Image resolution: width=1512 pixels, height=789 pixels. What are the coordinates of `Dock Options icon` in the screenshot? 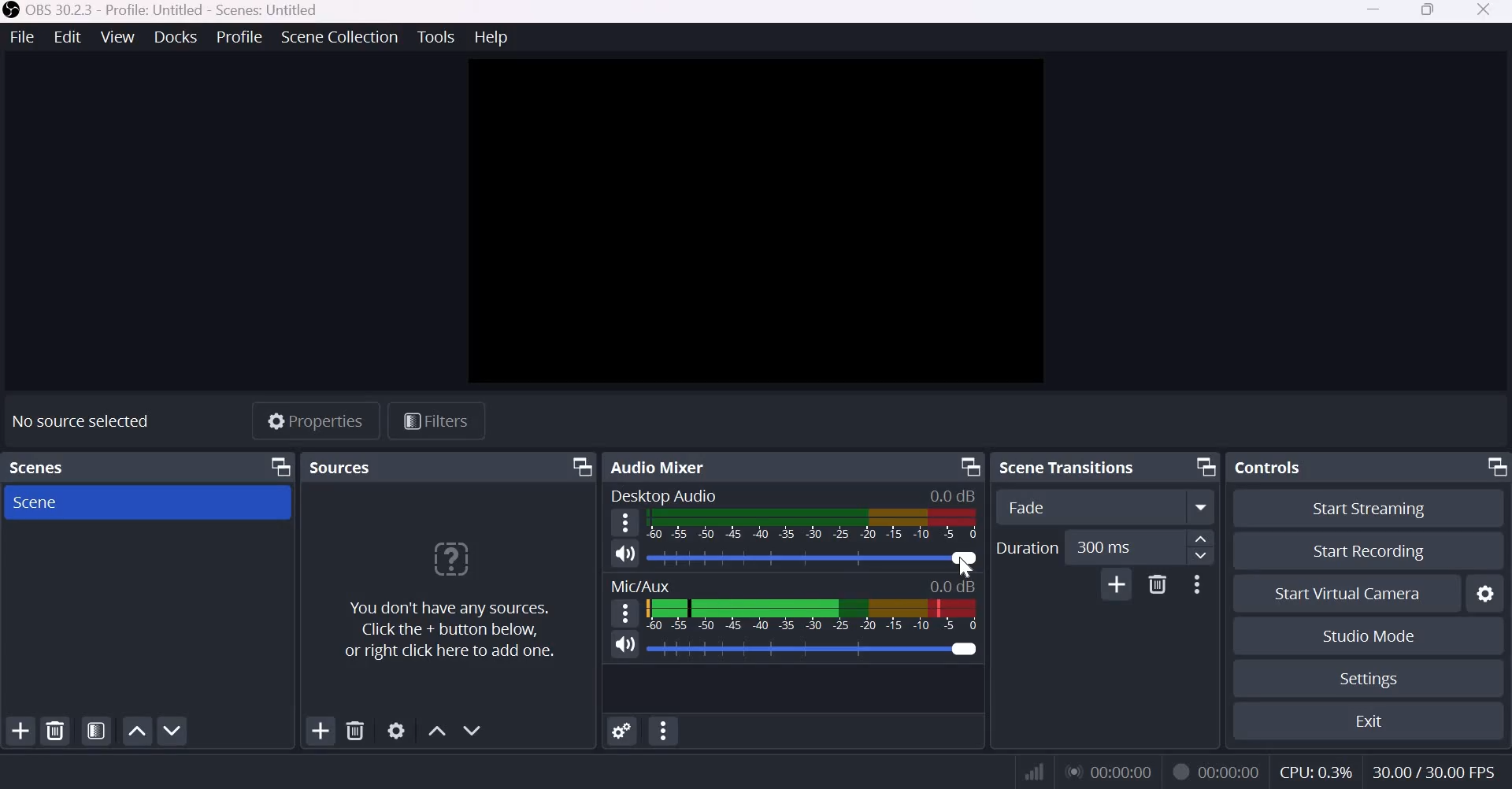 It's located at (1197, 466).